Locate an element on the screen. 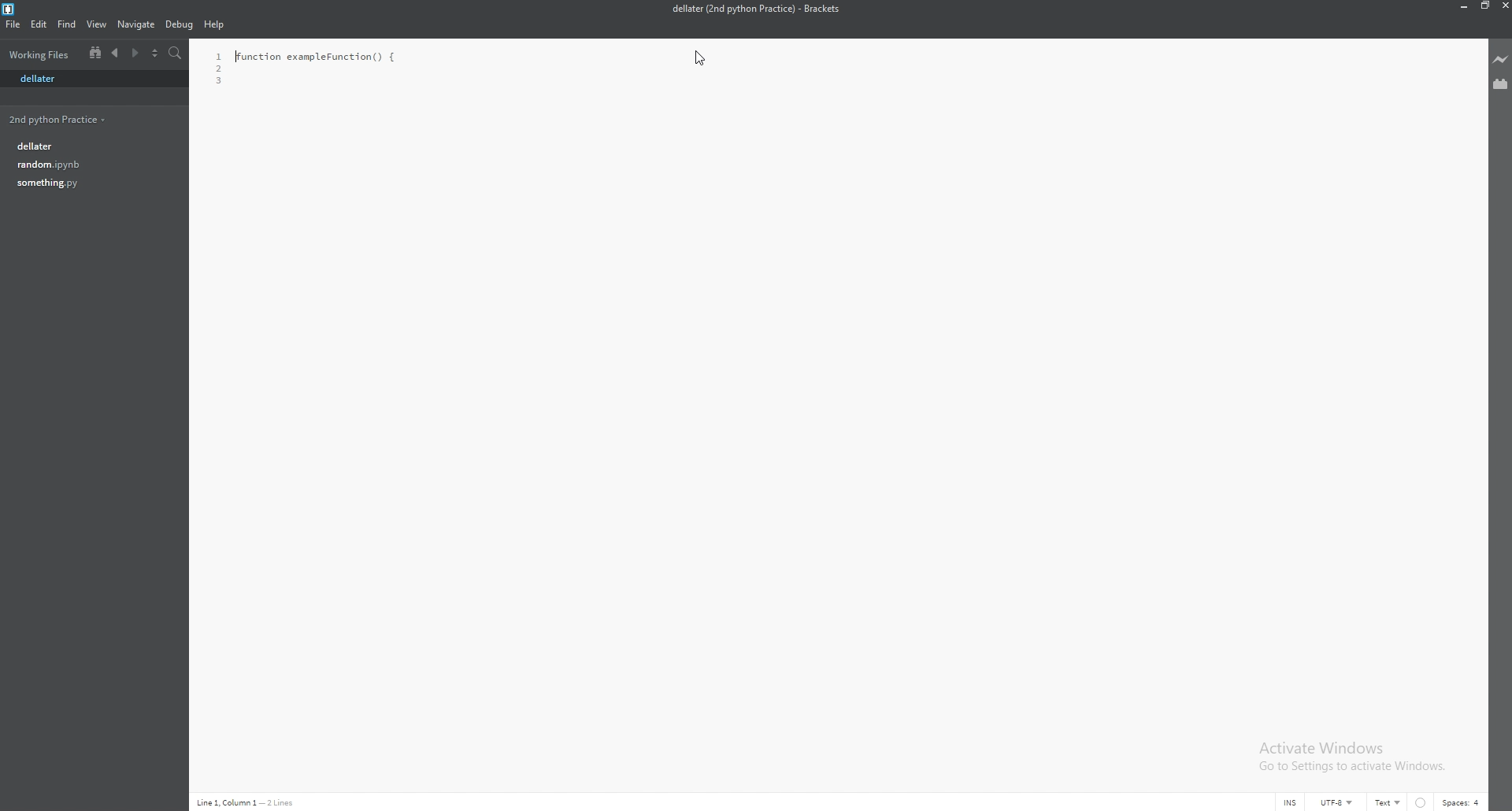 This screenshot has height=811, width=1512. next is located at coordinates (135, 54).